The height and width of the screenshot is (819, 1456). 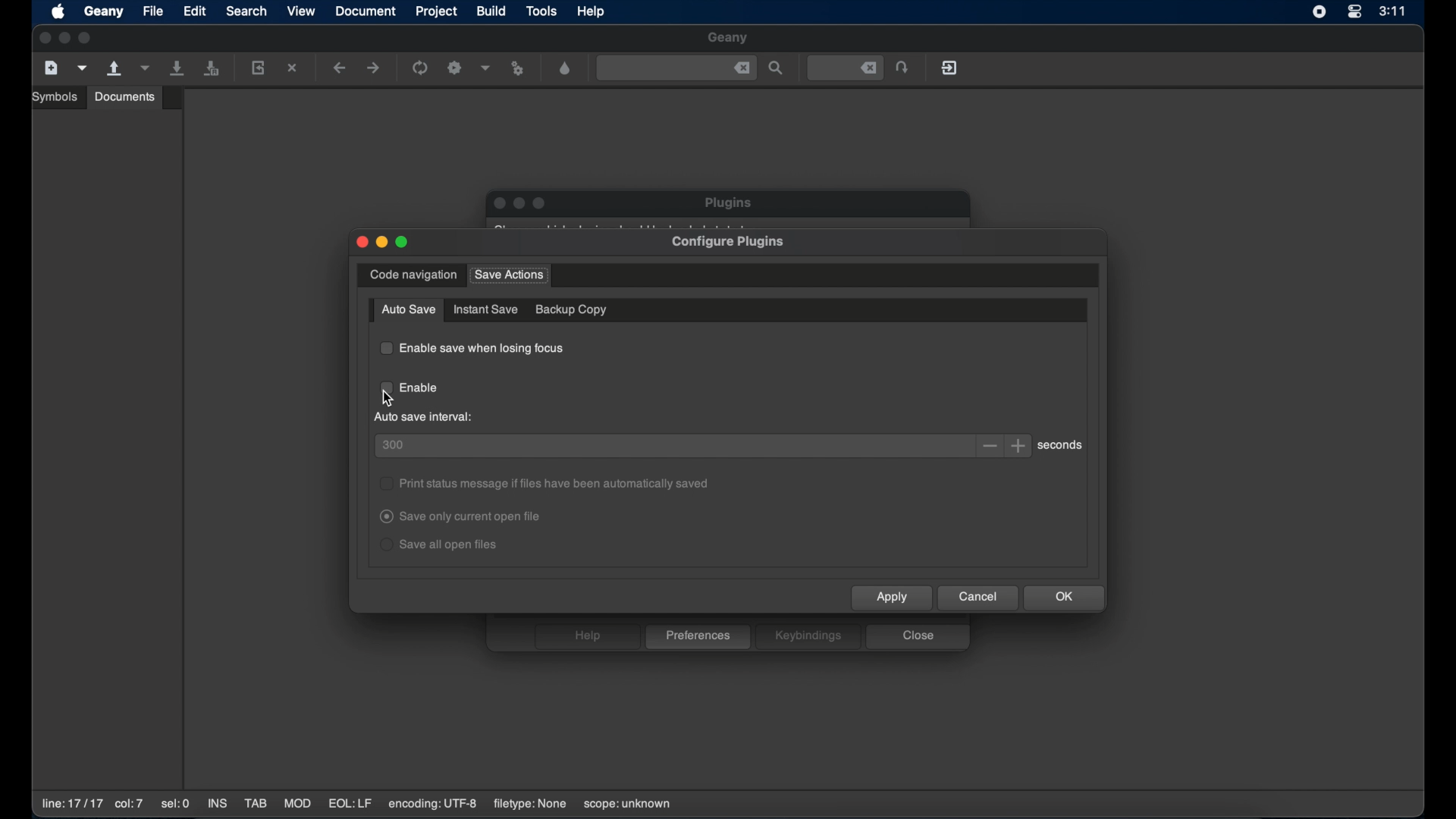 I want to click on scope:, so click(x=627, y=805).